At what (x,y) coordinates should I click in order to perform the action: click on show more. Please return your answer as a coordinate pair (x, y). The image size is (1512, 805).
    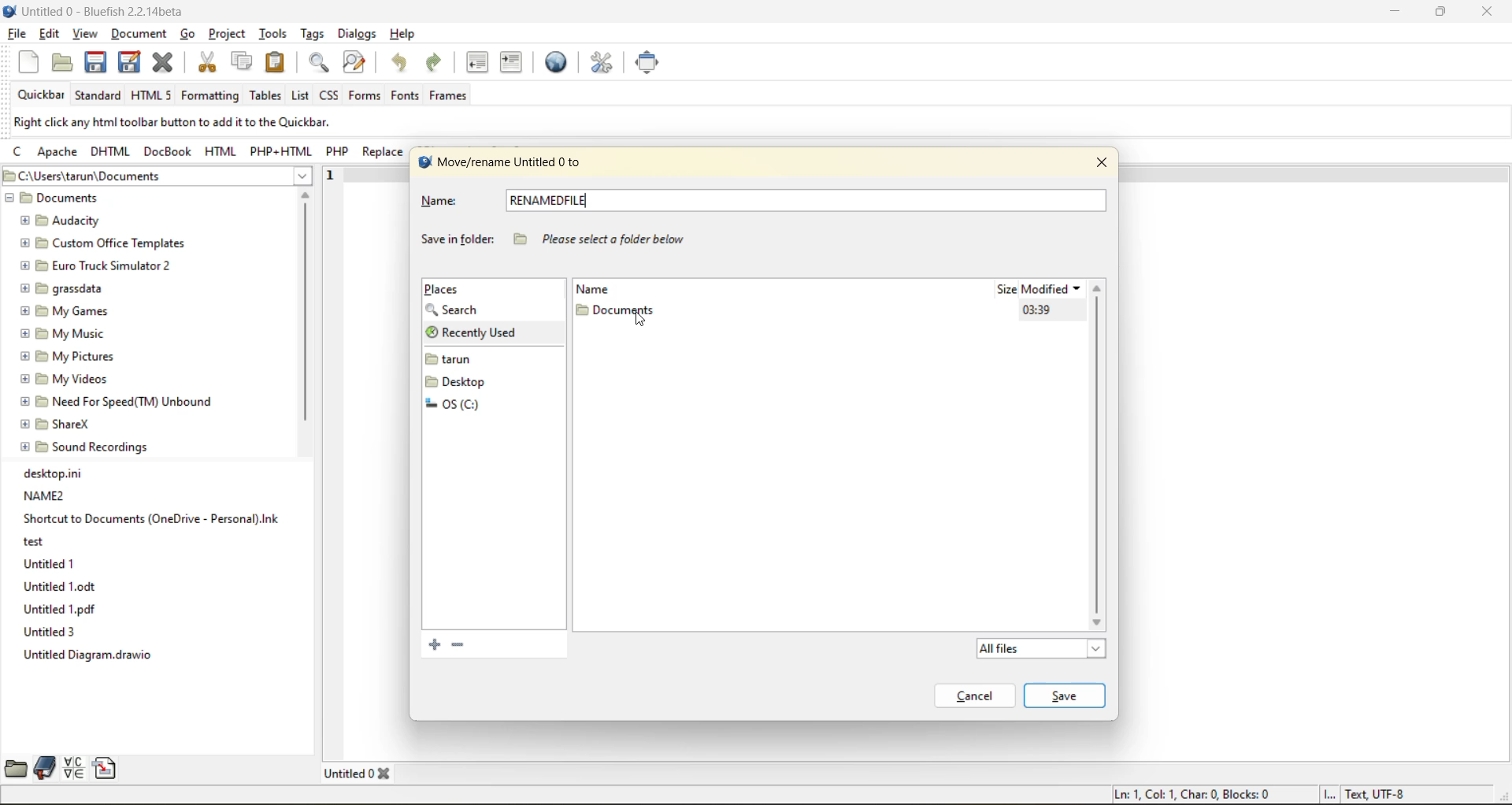
    Looking at the image, I should click on (306, 175).